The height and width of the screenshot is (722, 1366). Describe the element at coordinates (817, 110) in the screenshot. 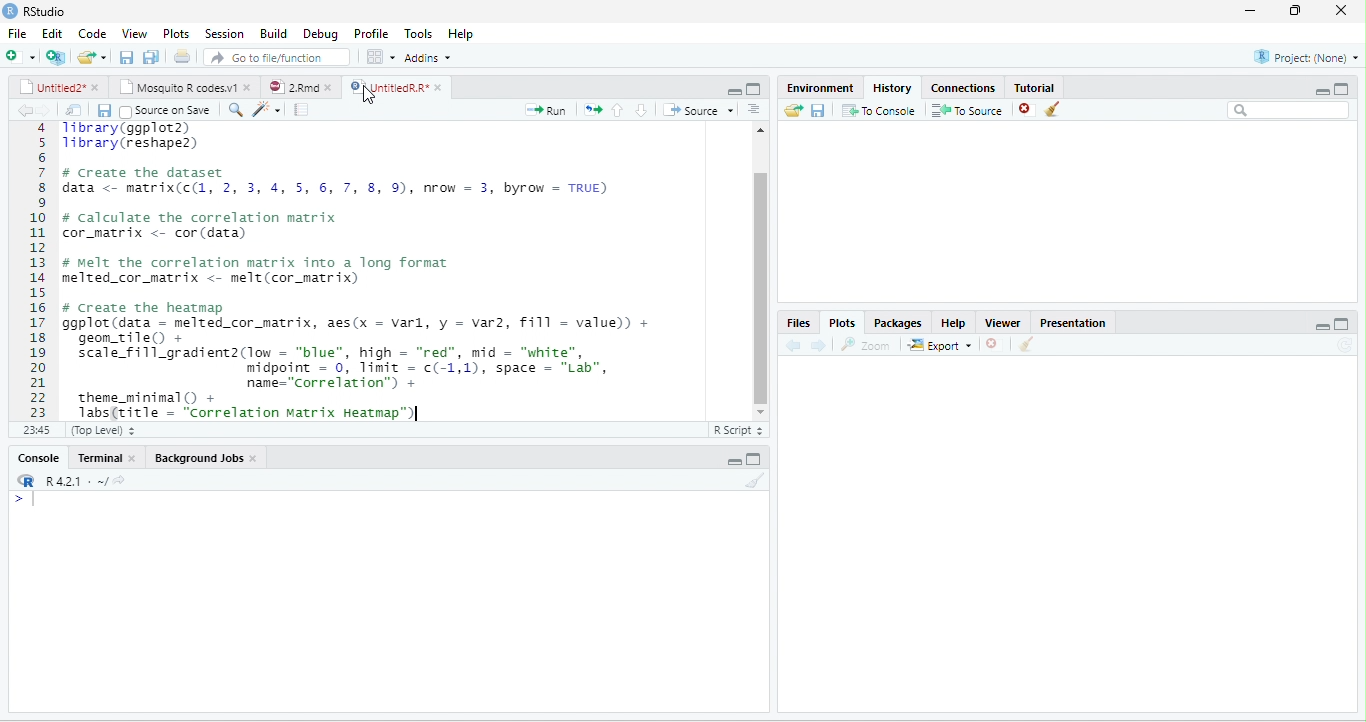

I see `save` at that location.